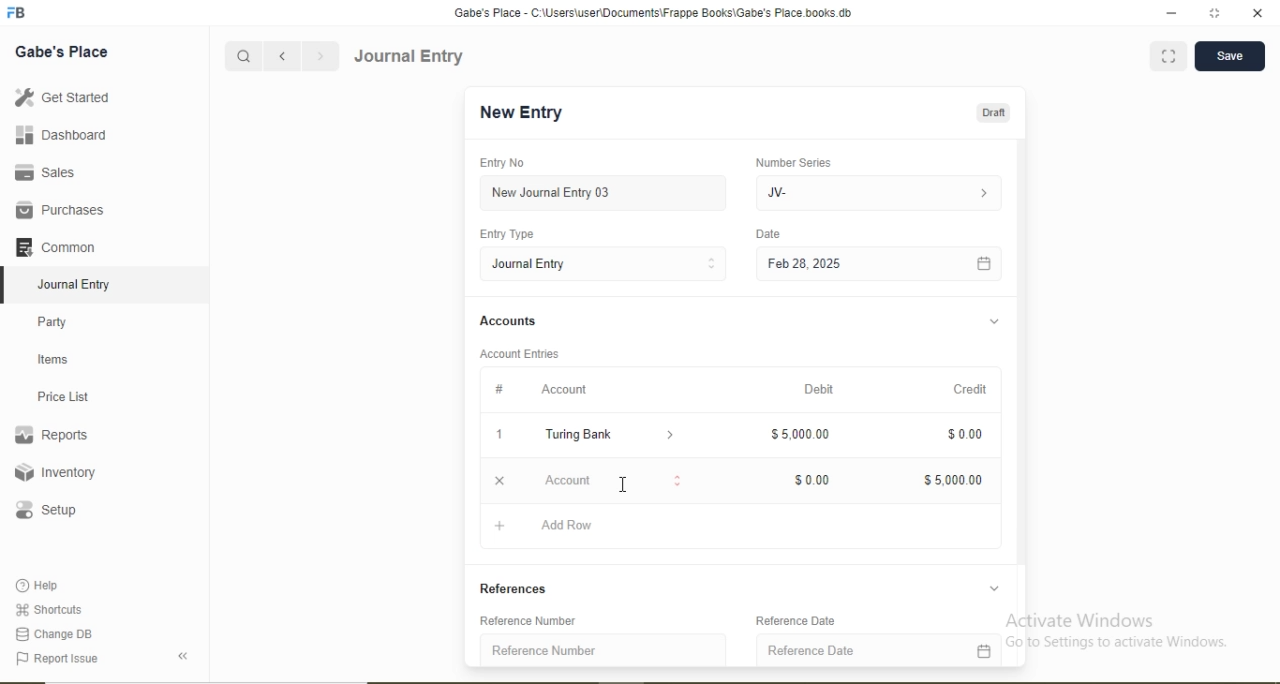  Describe the element at coordinates (500, 526) in the screenshot. I see `Add` at that location.